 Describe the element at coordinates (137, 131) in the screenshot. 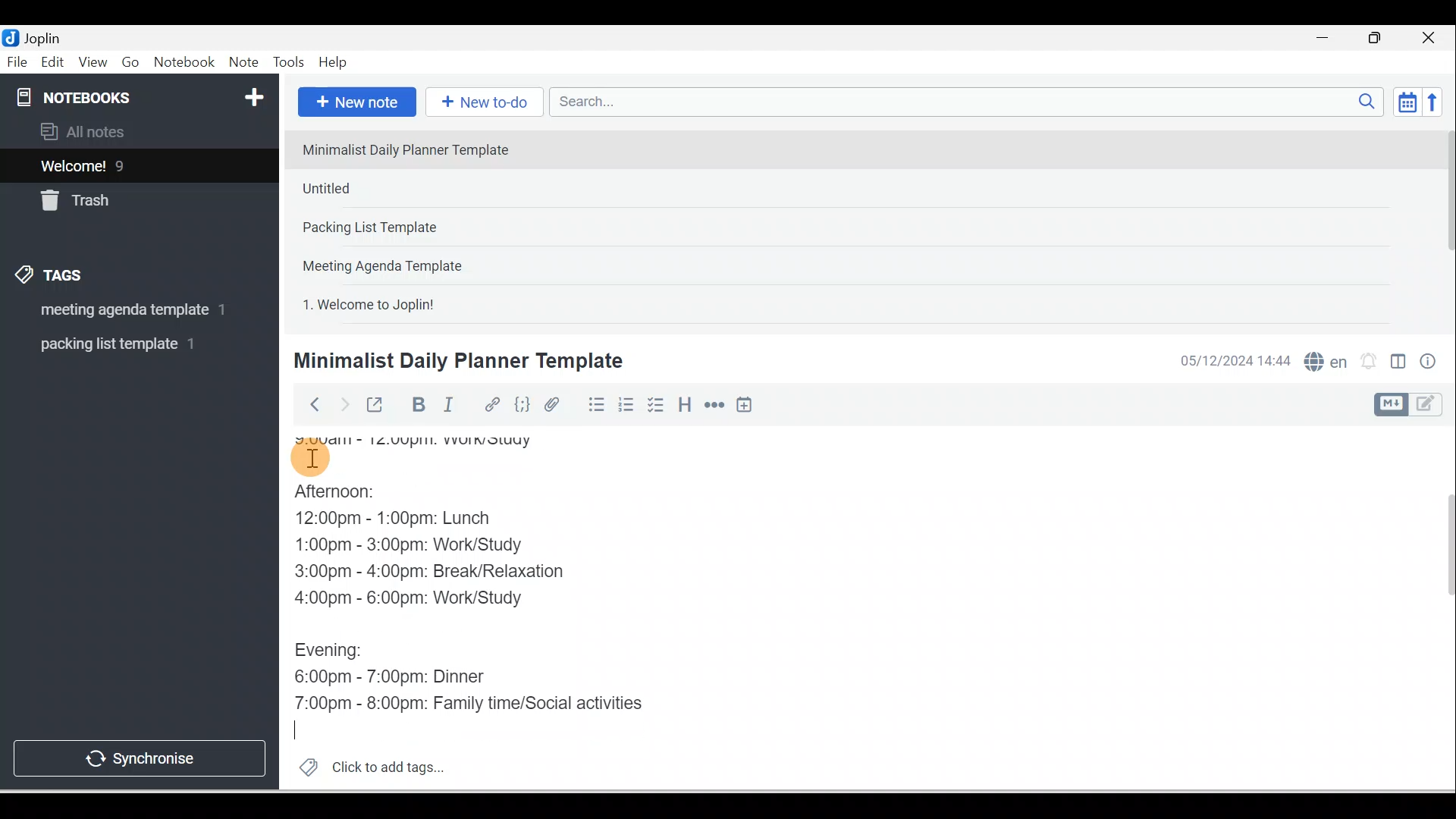

I see `All notes` at that location.